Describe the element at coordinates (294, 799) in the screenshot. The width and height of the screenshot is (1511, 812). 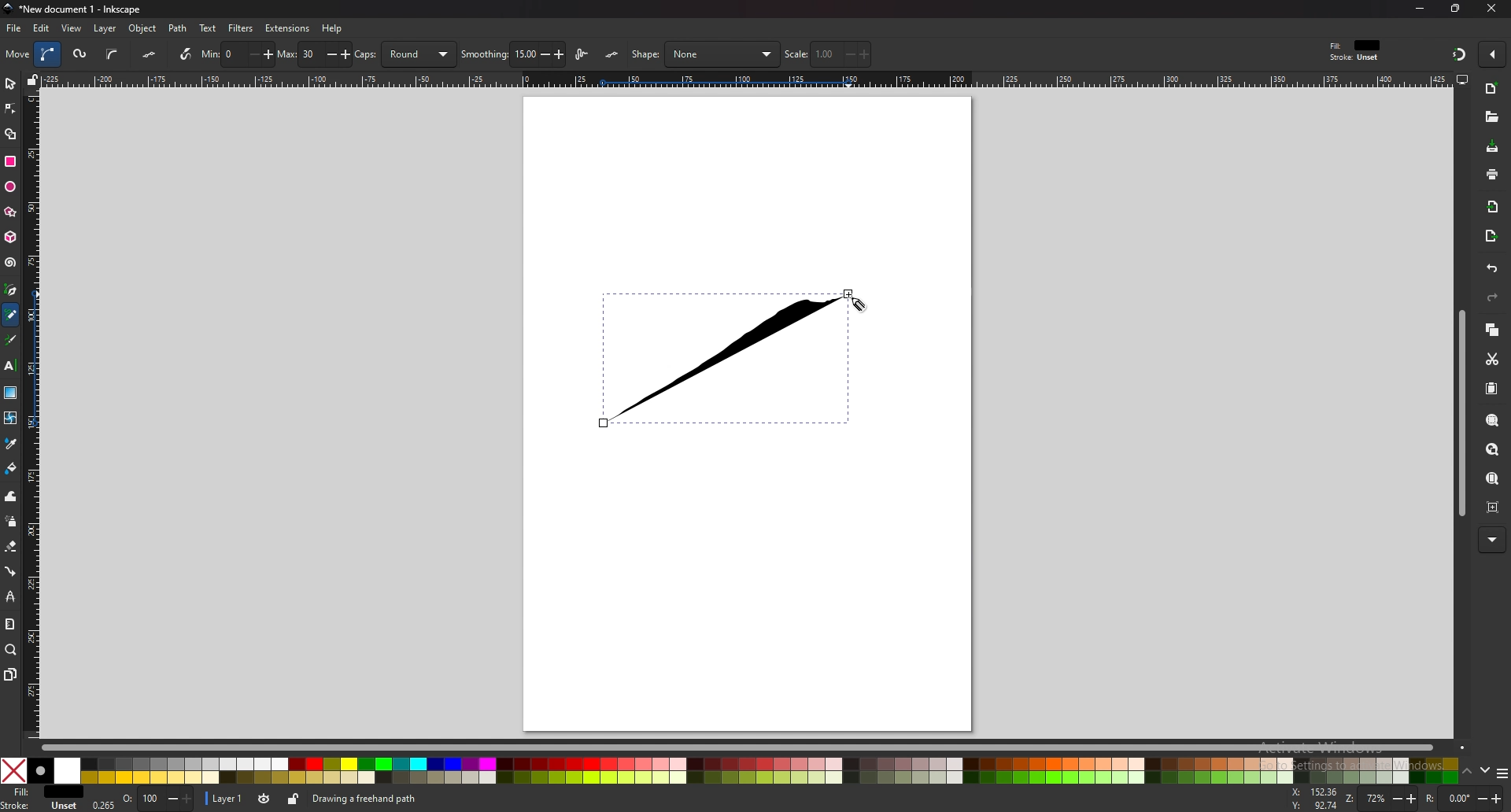
I see `lock` at that location.